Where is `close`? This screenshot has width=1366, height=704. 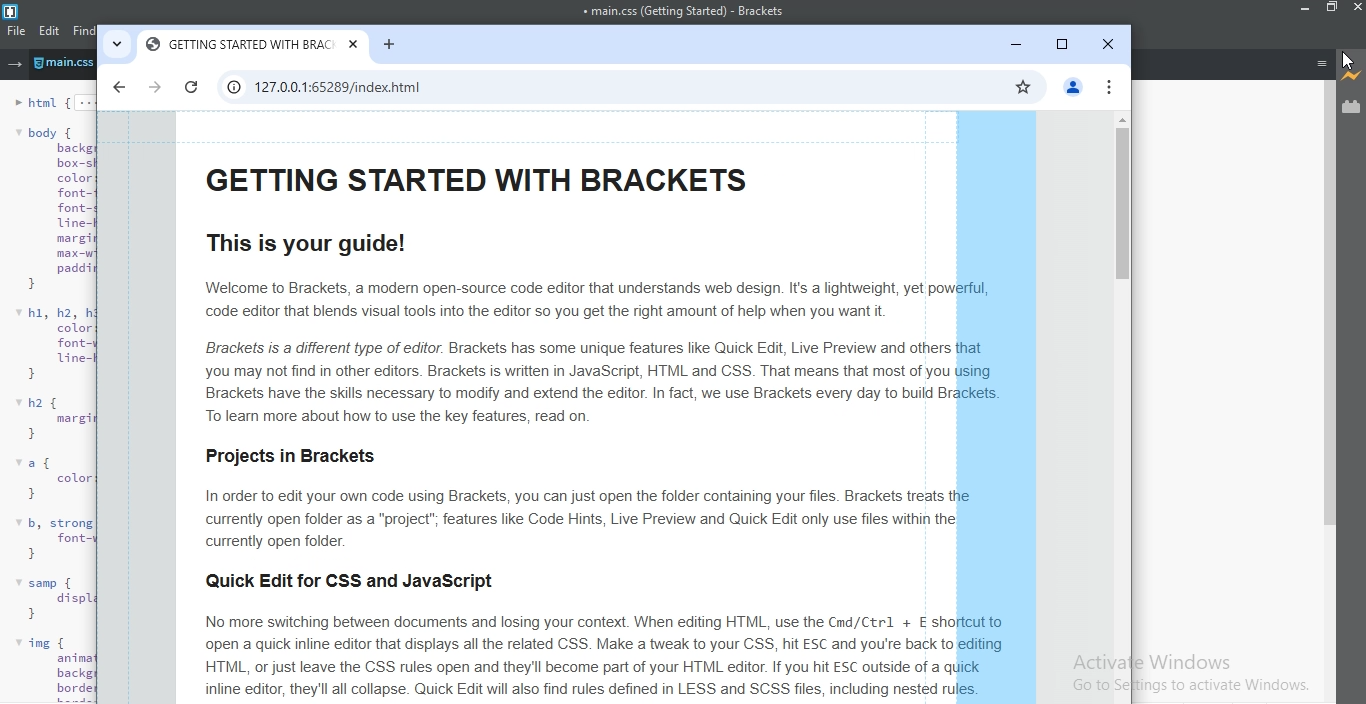
close is located at coordinates (1111, 46).